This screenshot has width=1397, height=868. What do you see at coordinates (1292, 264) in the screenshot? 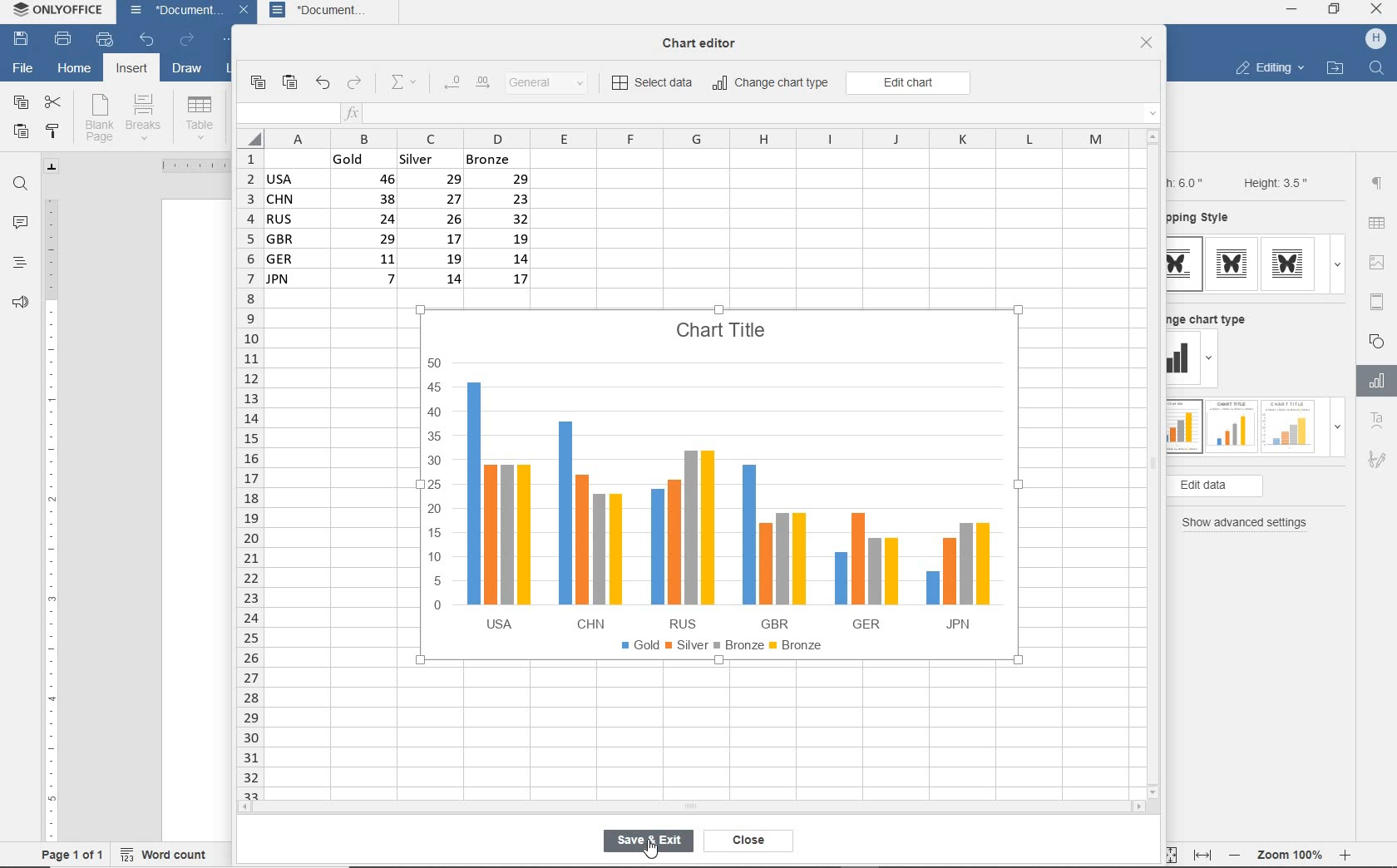
I see `type 3` at bounding box center [1292, 264].